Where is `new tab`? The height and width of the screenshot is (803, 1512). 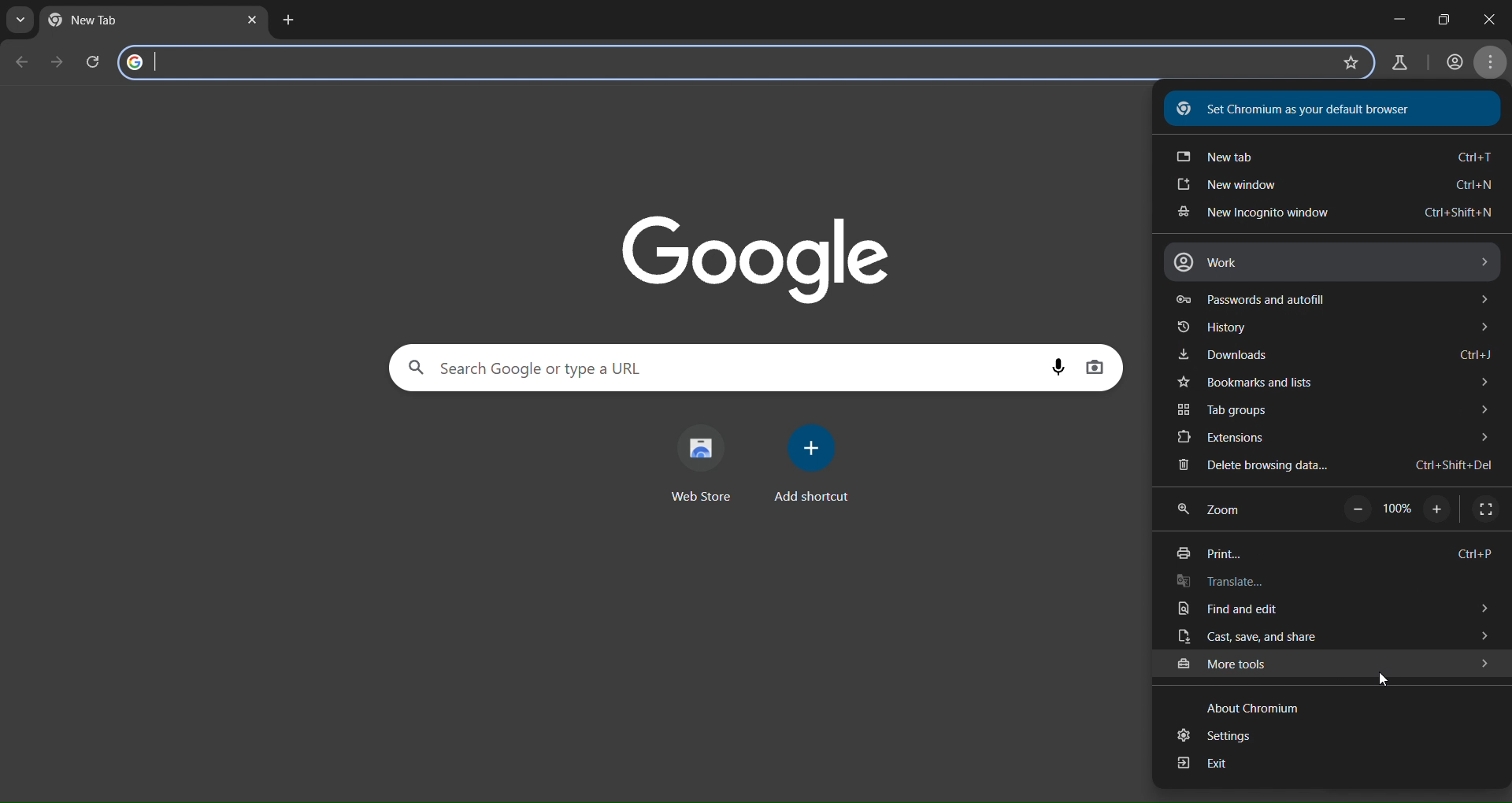
new tab is located at coordinates (1333, 154).